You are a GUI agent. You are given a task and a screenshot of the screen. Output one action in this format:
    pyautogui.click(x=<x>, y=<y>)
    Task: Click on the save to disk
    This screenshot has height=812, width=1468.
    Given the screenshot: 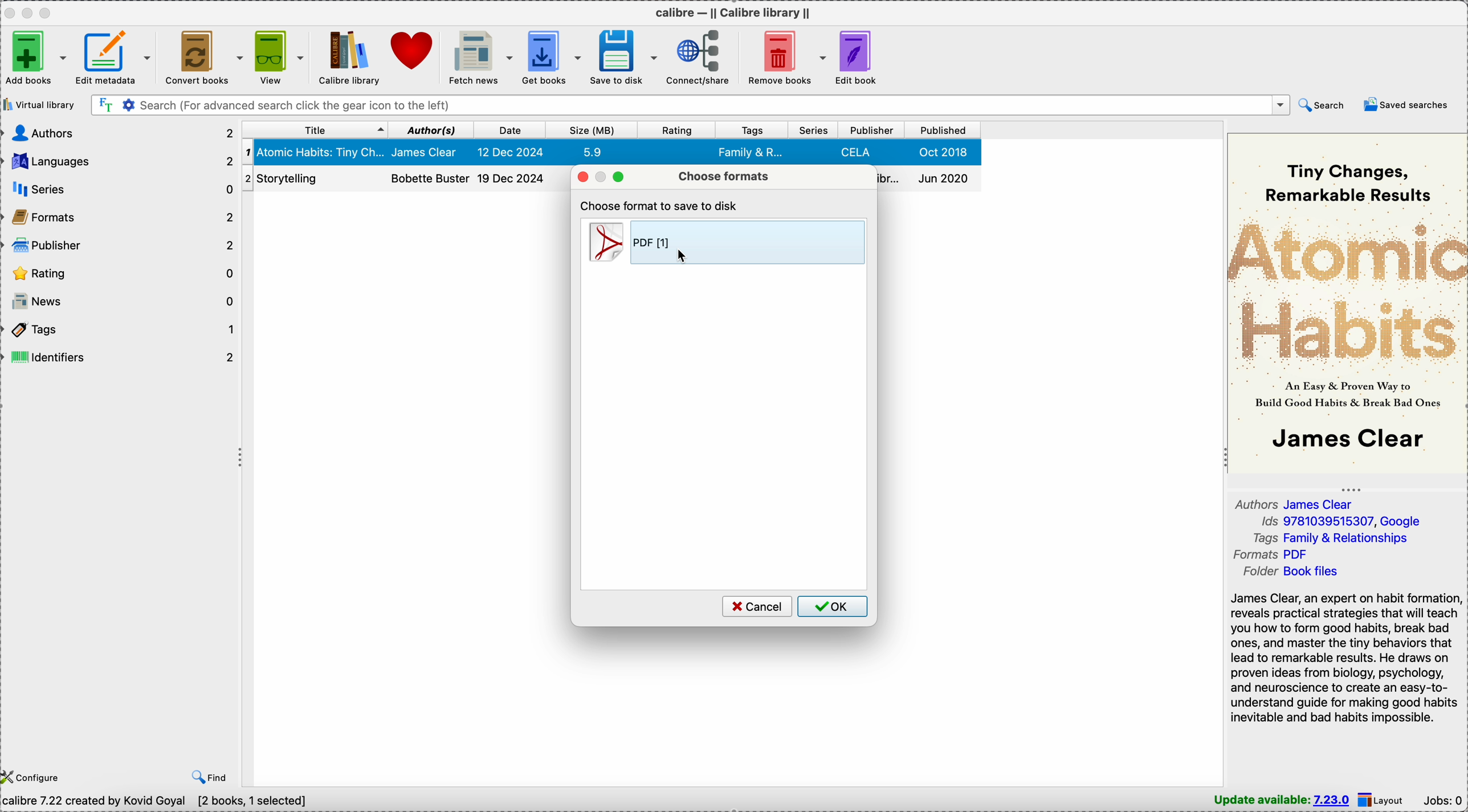 What is the action you would take?
    pyautogui.click(x=622, y=57)
    